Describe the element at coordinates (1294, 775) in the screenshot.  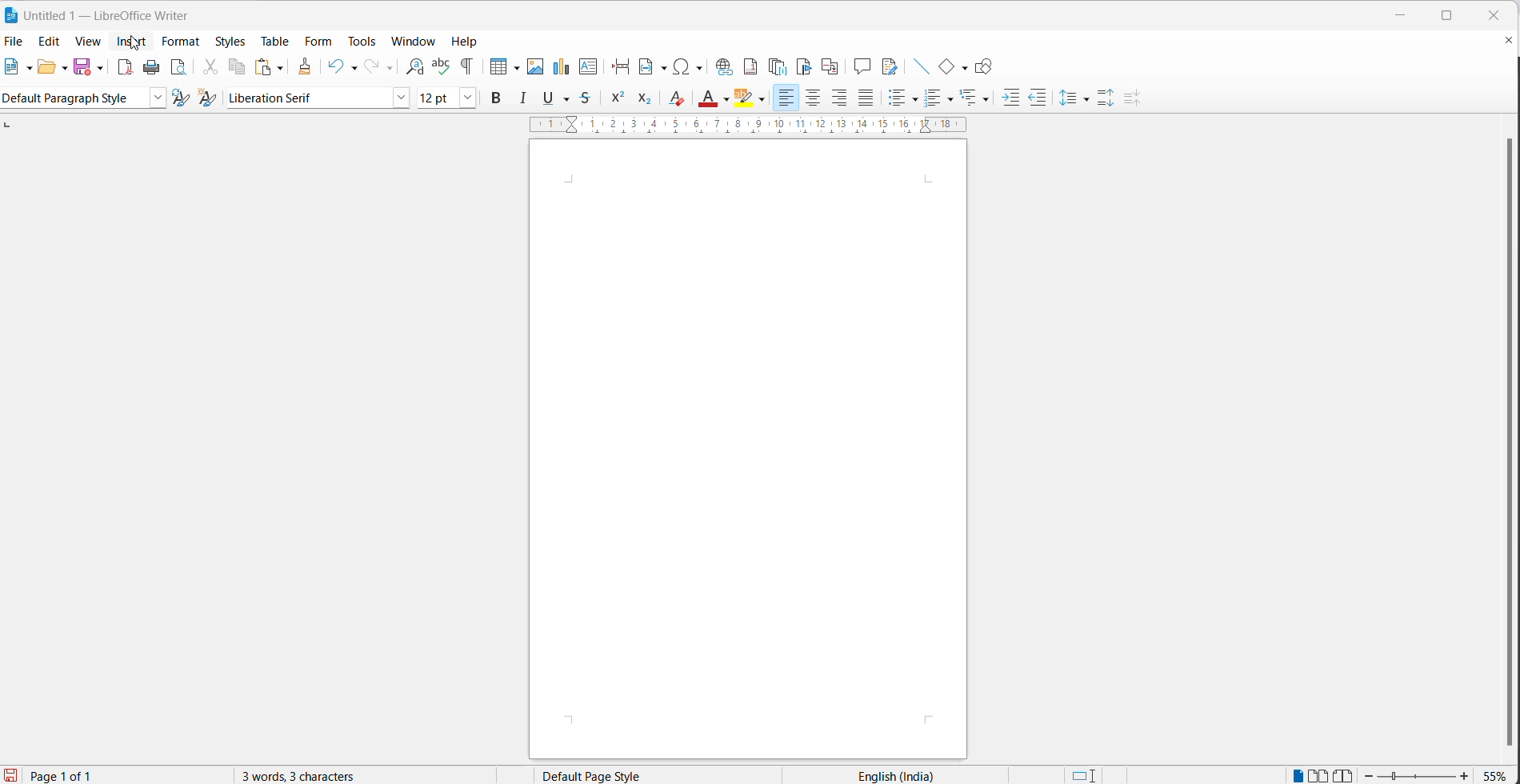
I see `single page view` at that location.